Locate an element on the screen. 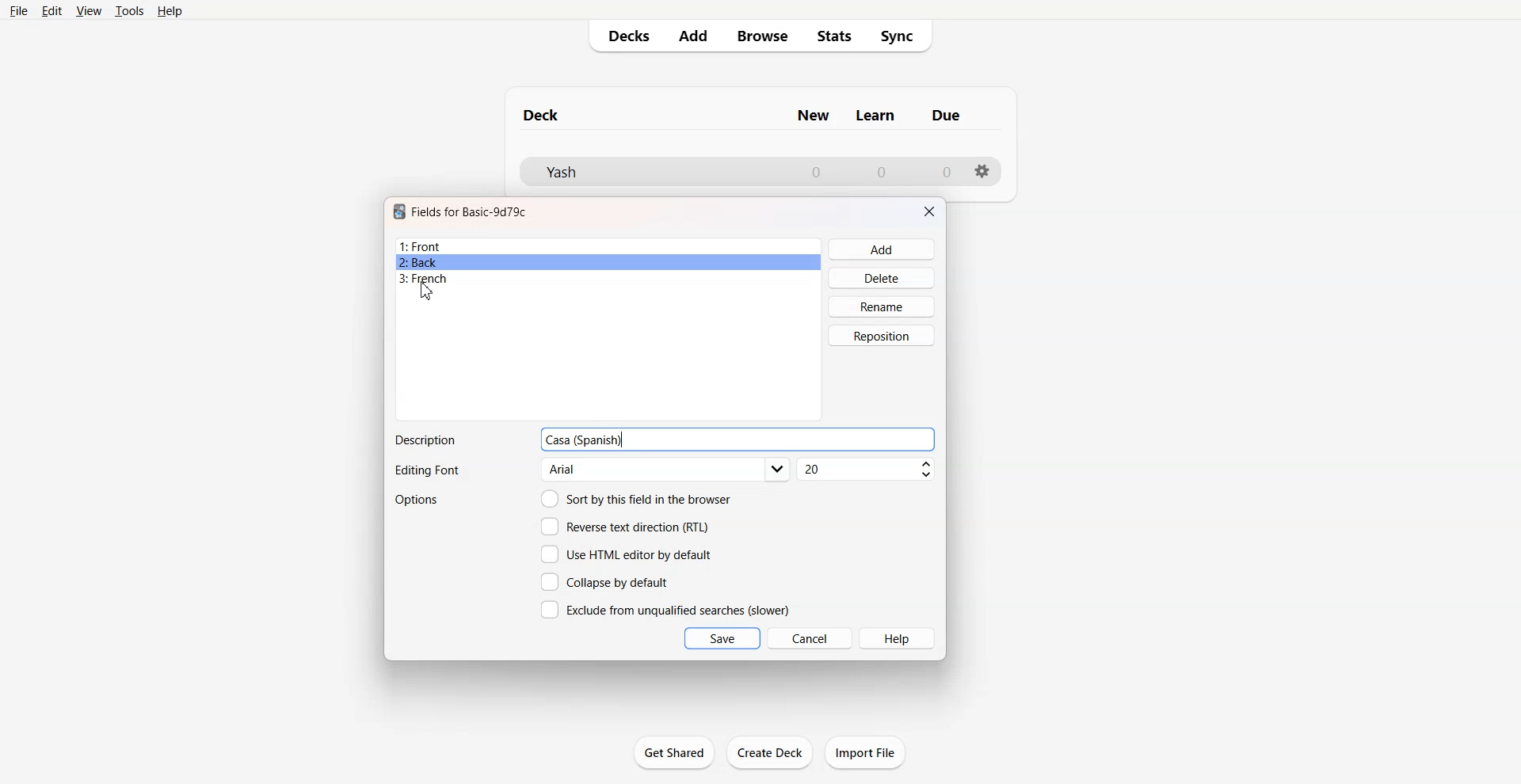 This screenshot has height=784, width=1521. Column name is located at coordinates (813, 116).